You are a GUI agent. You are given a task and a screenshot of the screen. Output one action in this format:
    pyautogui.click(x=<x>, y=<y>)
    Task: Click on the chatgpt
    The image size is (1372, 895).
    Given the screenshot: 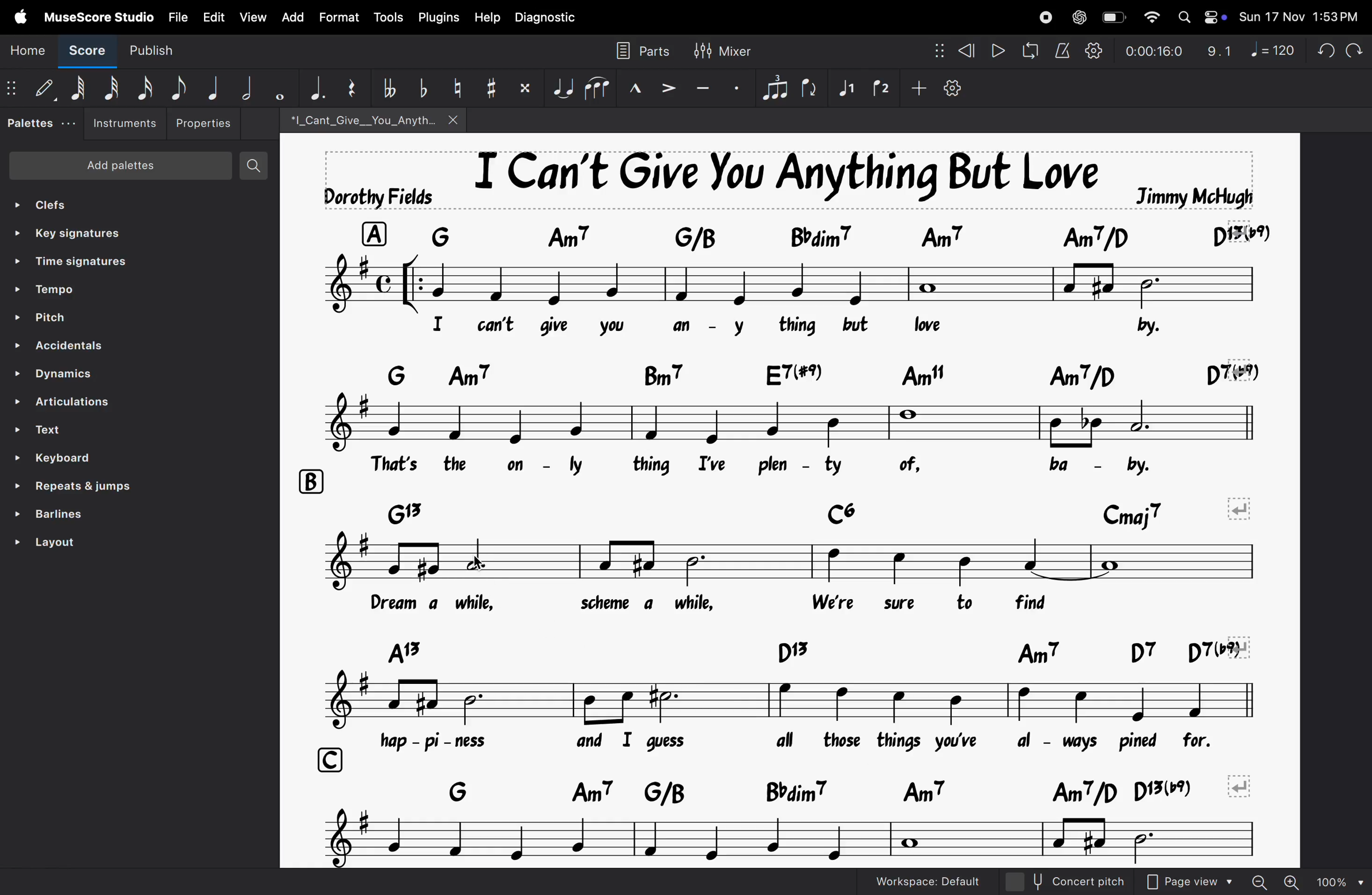 What is the action you would take?
    pyautogui.click(x=1080, y=17)
    